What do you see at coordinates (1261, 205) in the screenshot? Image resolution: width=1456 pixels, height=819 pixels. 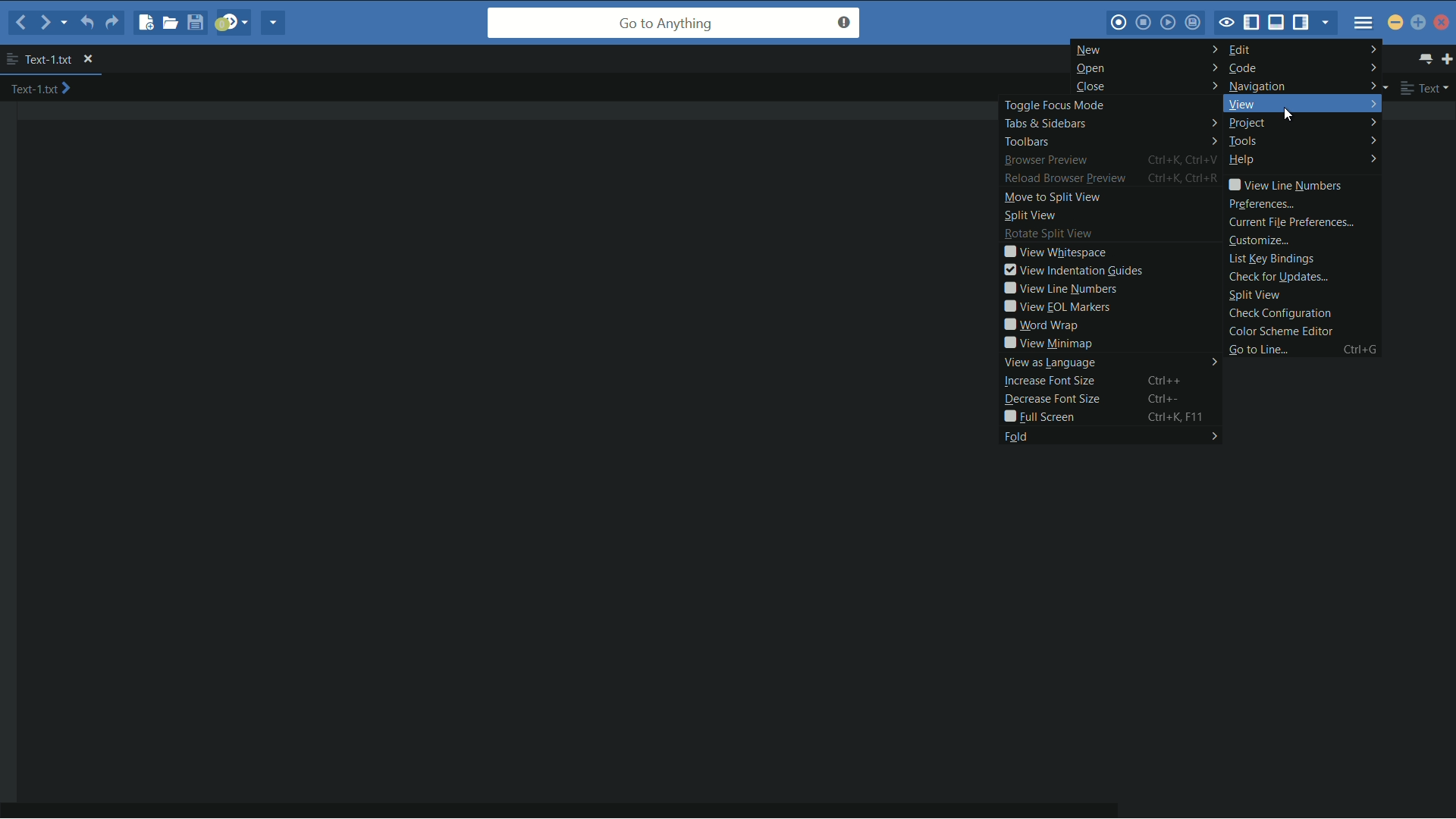 I see `preferences` at bounding box center [1261, 205].